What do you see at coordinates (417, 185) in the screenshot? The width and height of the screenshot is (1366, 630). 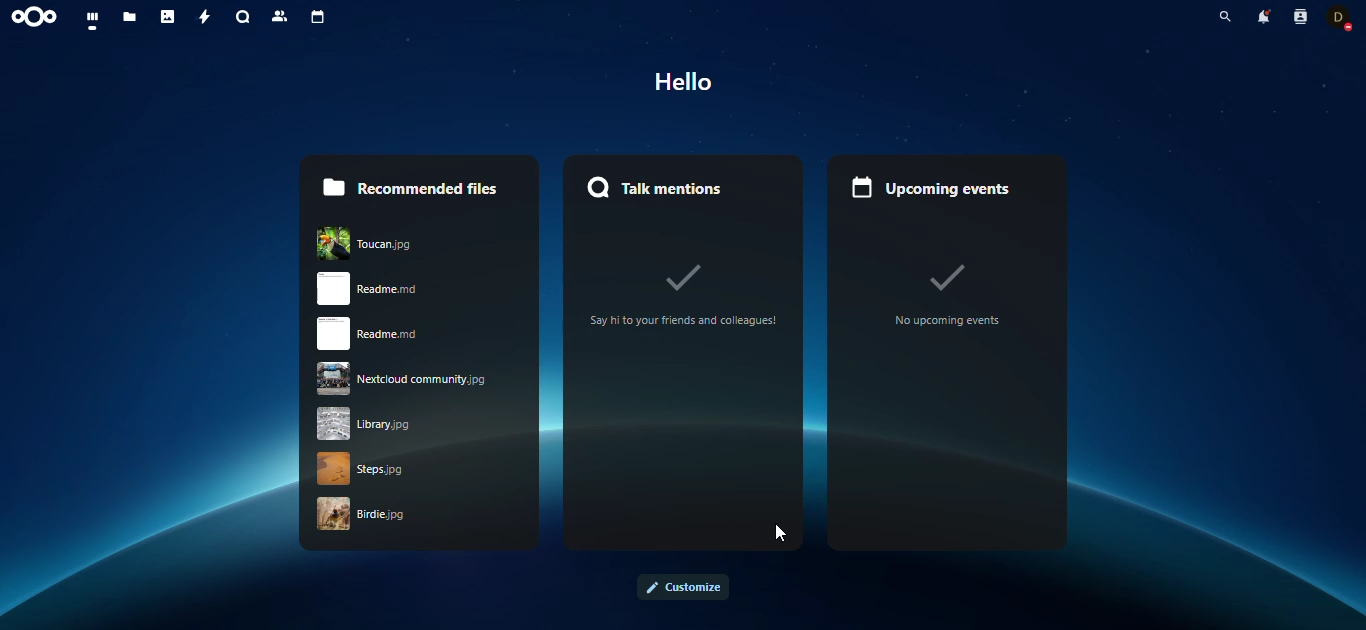 I see `recommended files` at bounding box center [417, 185].